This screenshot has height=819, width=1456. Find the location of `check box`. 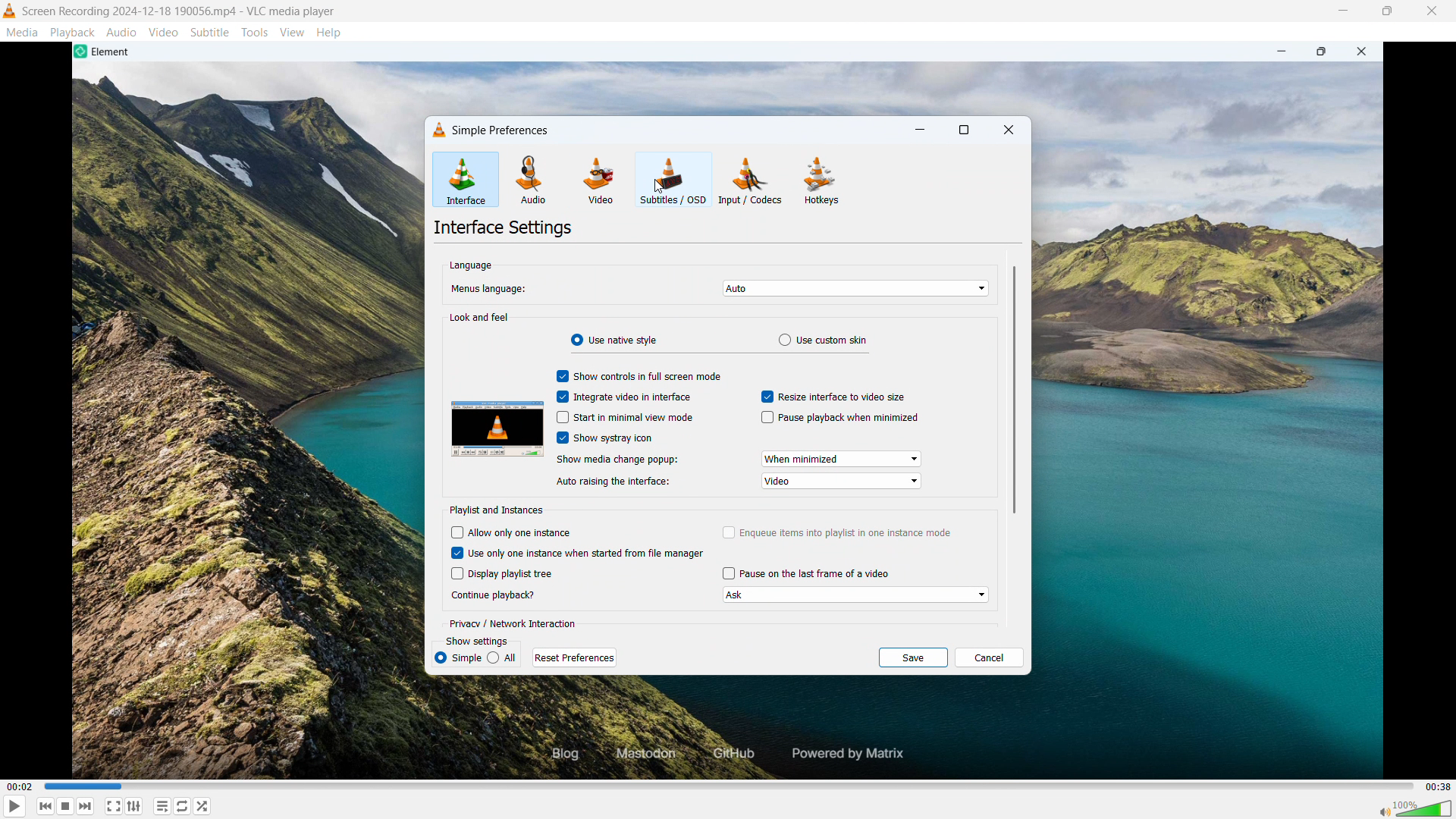

check box is located at coordinates (562, 378).